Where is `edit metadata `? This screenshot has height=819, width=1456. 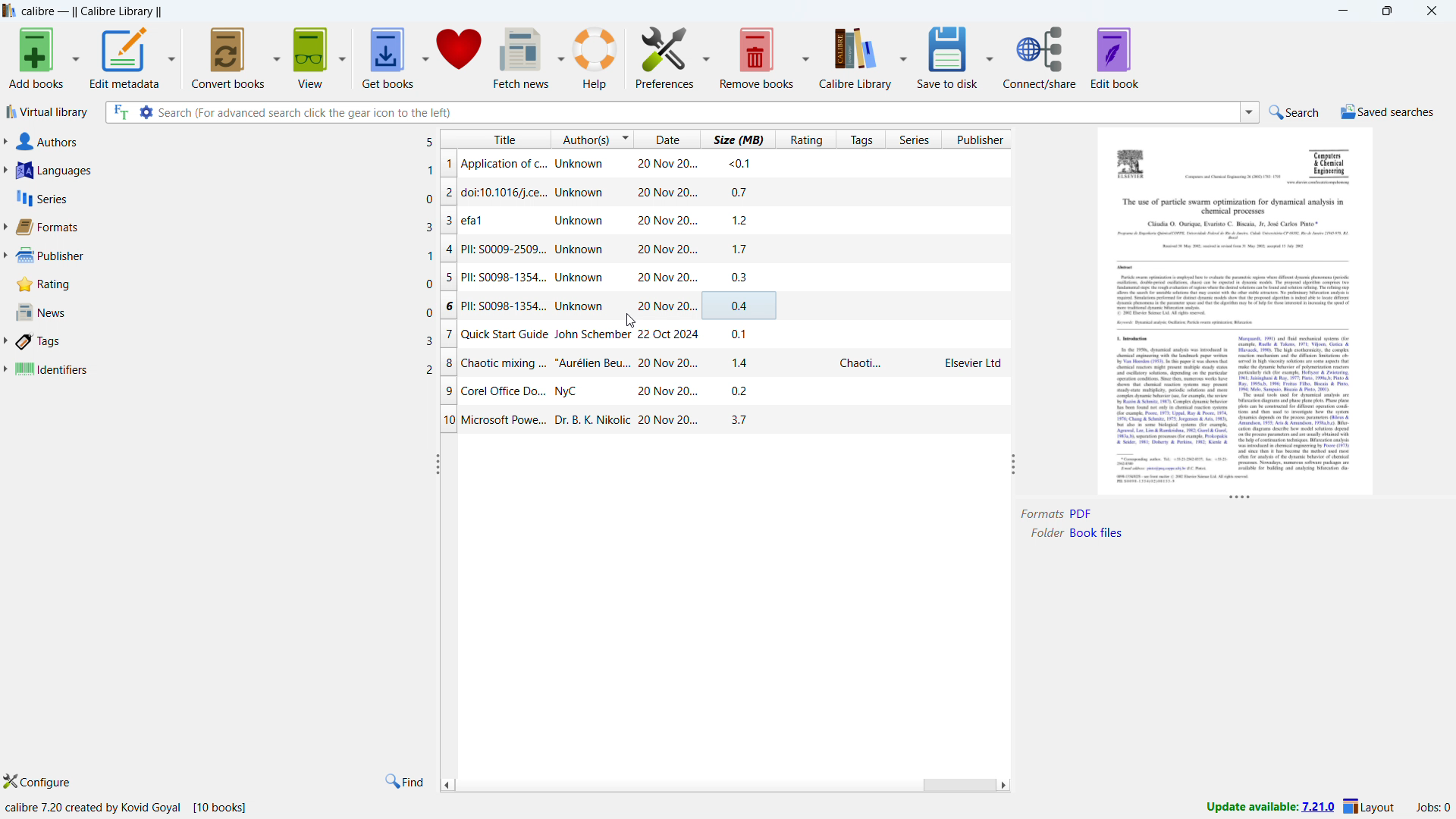 edit metadata  is located at coordinates (125, 56).